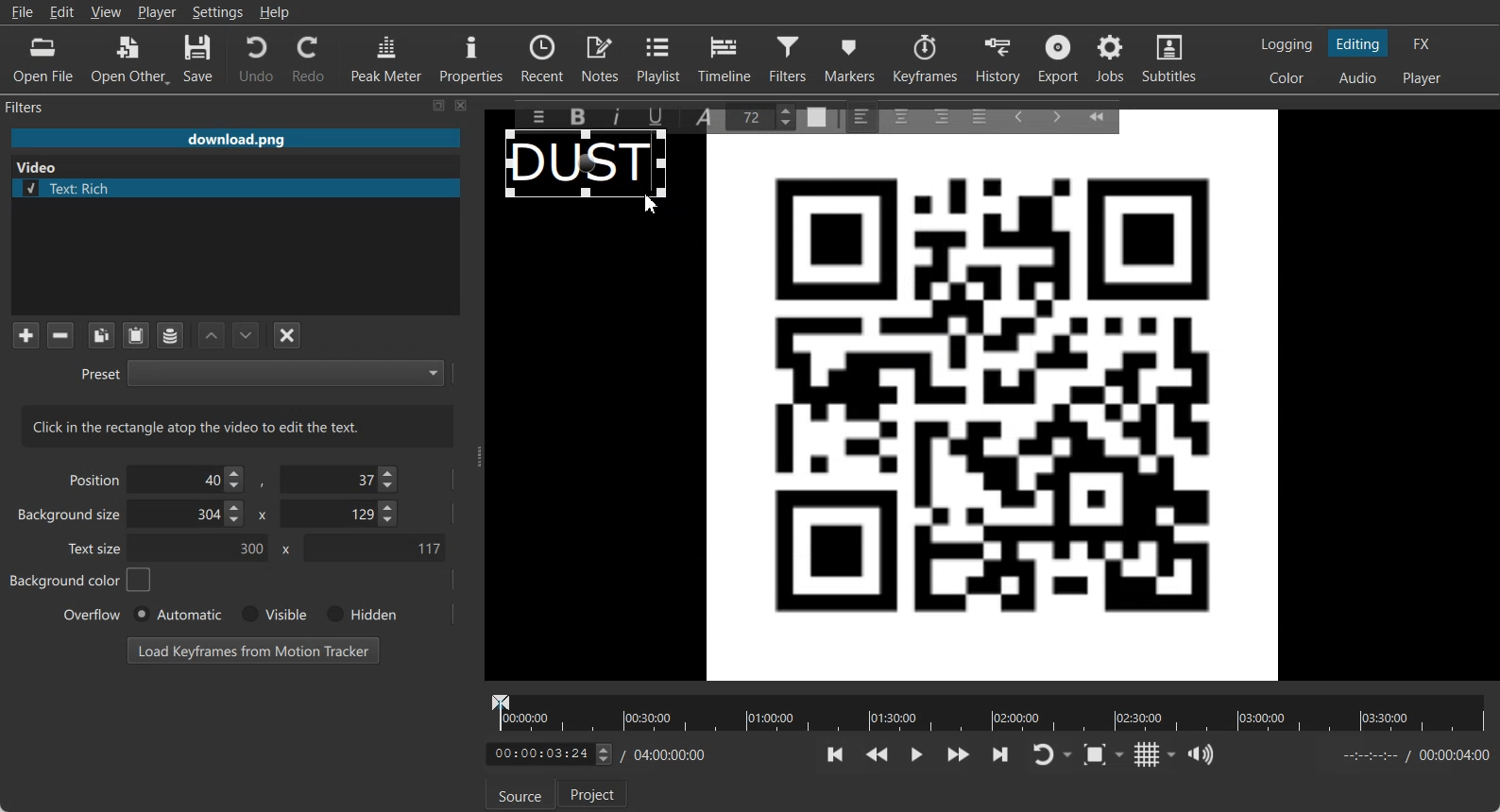 Image resolution: width=1500 pixels, height=812 pixels. What do you see at coordinates (988, 711) in the screenshot?
I see `Video timeline` at bounding box center [988, 711].